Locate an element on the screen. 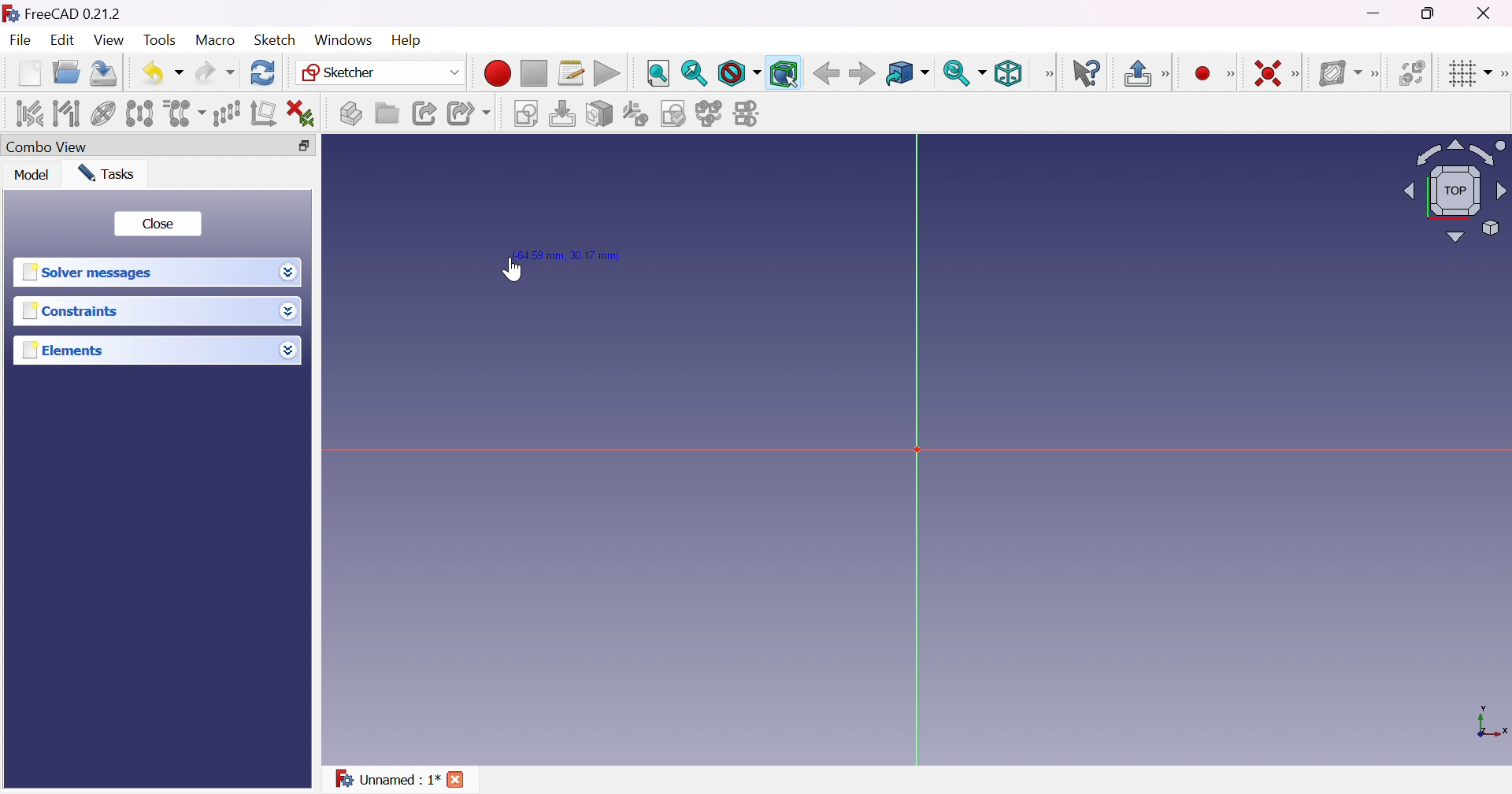  Back is located at coordinates (826, 74).